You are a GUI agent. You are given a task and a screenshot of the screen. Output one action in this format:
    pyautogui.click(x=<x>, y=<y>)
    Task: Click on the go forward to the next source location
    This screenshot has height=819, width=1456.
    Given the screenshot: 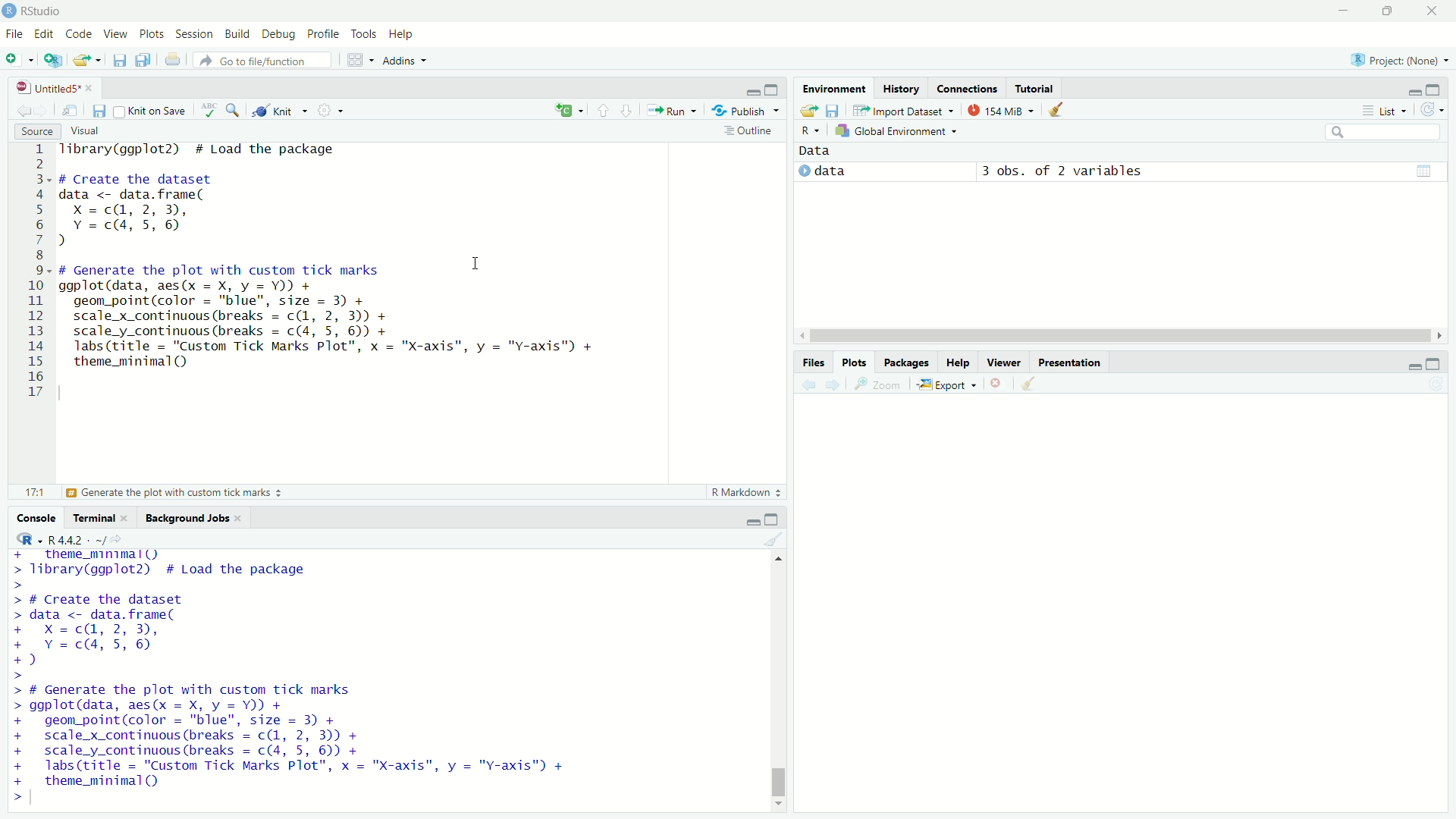 What is the action you would take?
    pyautogui.click(x=45, y=110)
    